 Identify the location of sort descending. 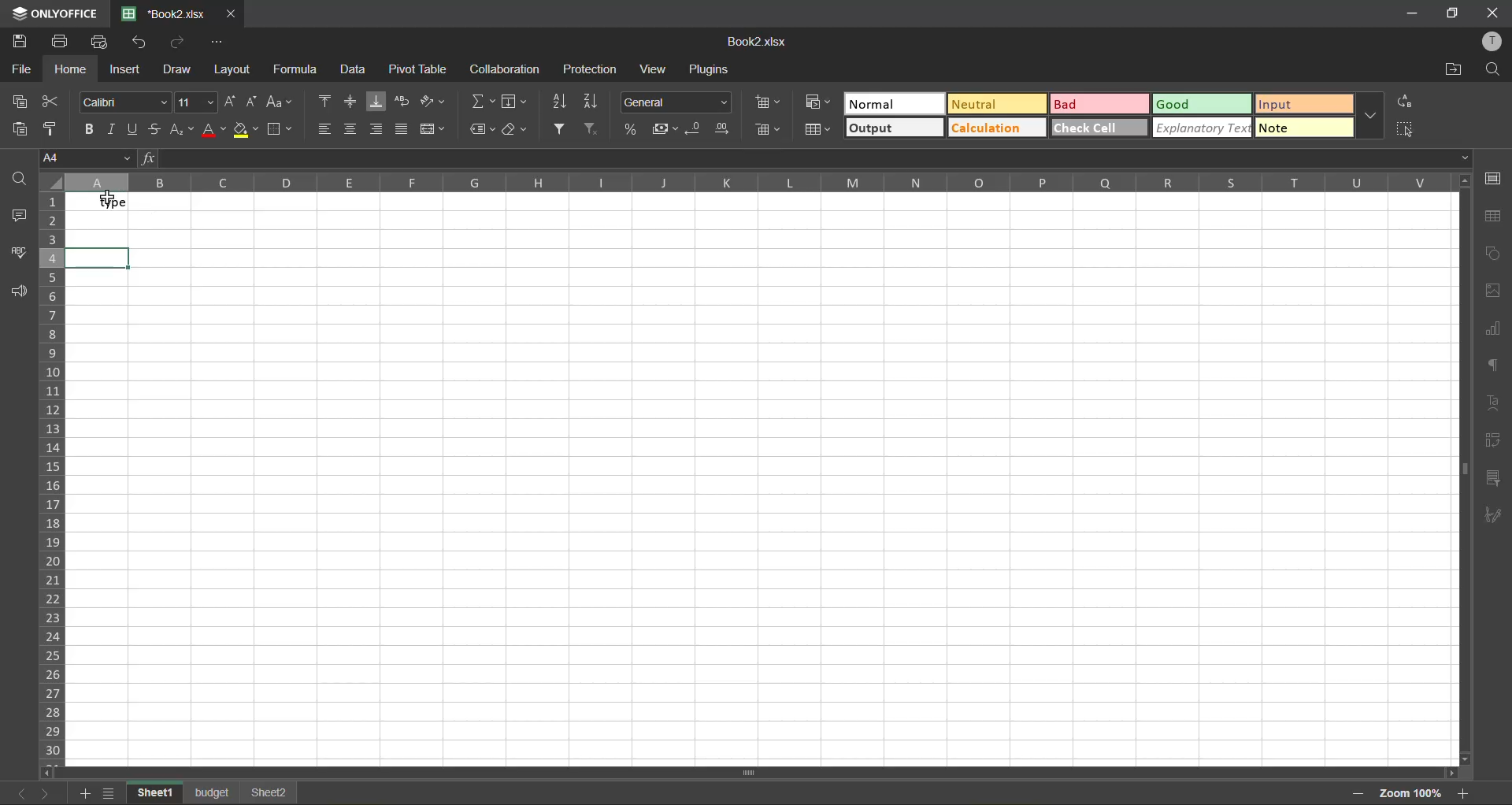
(595, 103).